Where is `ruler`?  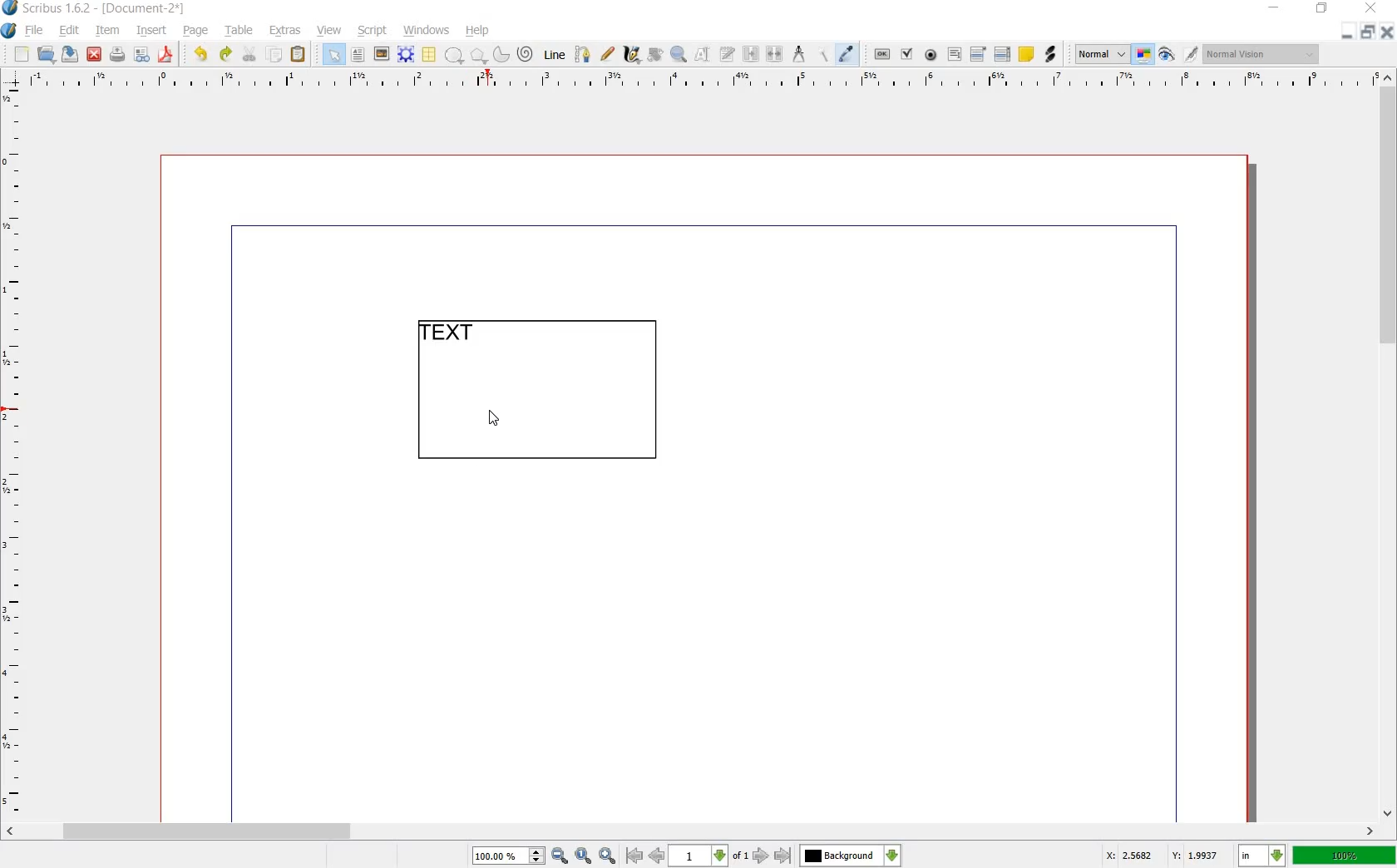
ruler is located at coordinates (14, 452).